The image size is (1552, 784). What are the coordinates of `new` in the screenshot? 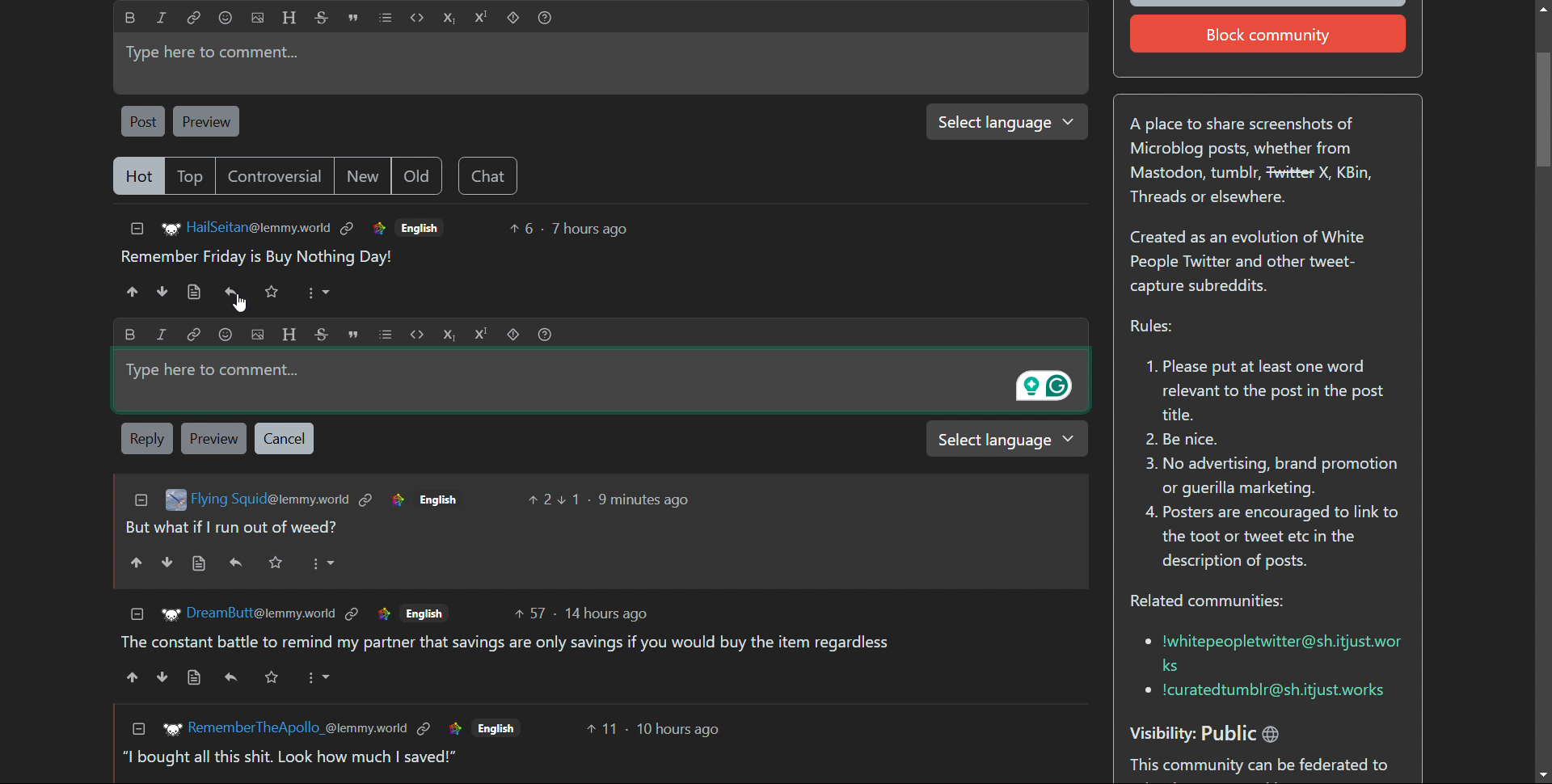 It's located at (363, 176).